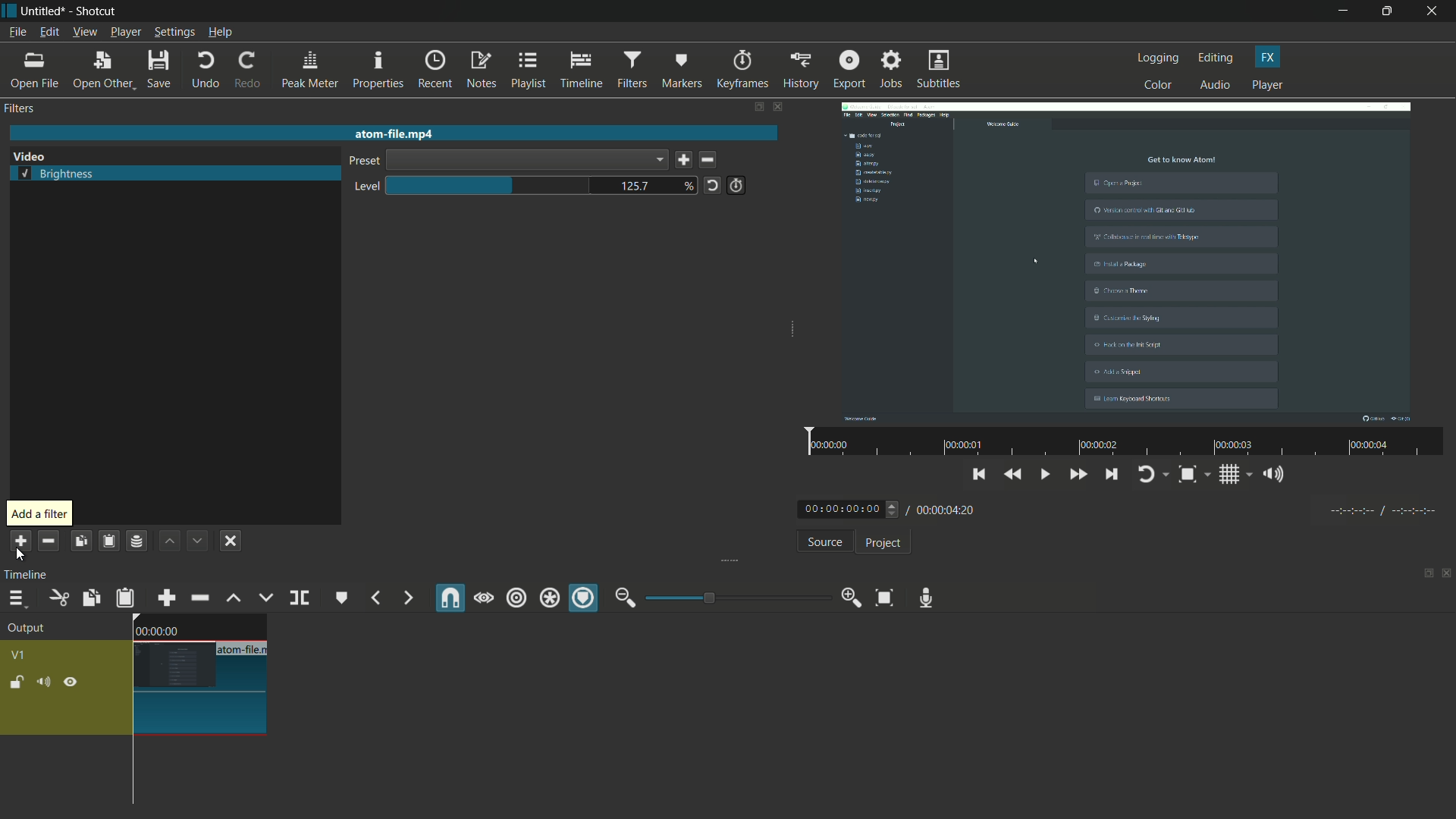 The width and height of the screenshot is (1456, 819). I want to click on move filter down, so click(199, 541).